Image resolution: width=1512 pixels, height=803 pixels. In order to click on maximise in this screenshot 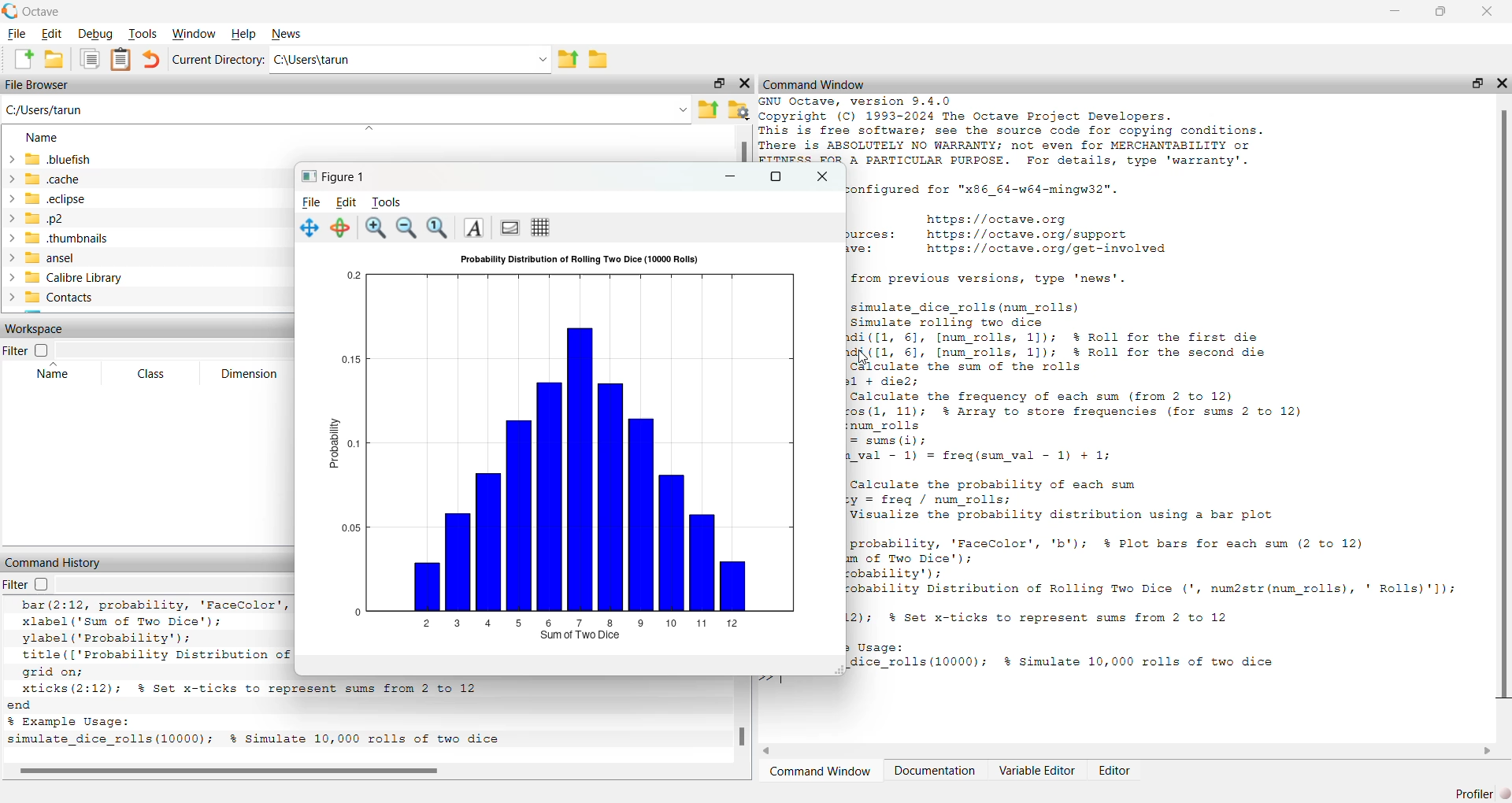, I will do `click(780, 177)`.